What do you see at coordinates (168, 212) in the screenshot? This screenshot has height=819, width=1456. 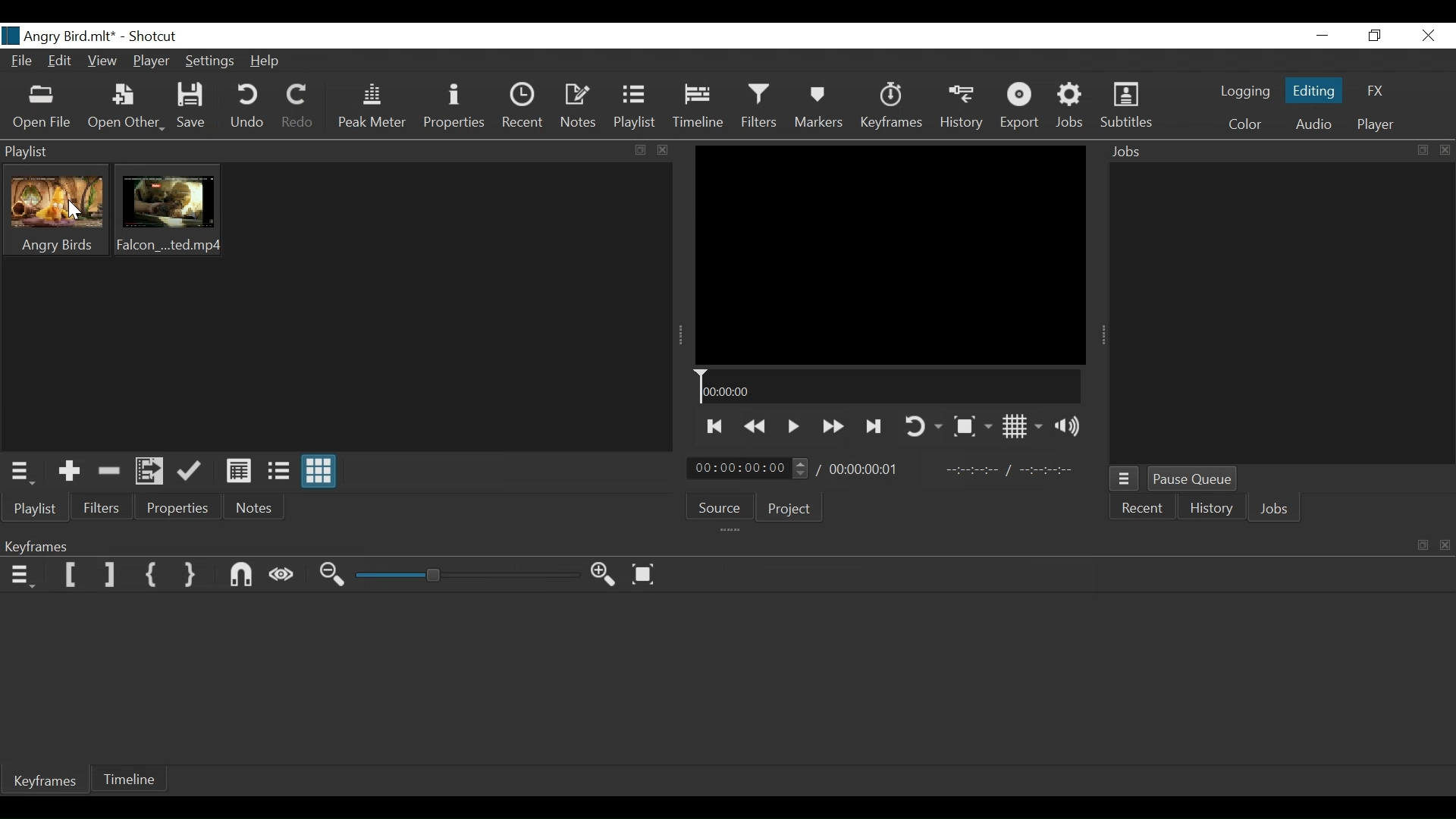 I see `Clip` at bounding box center [168, 212].